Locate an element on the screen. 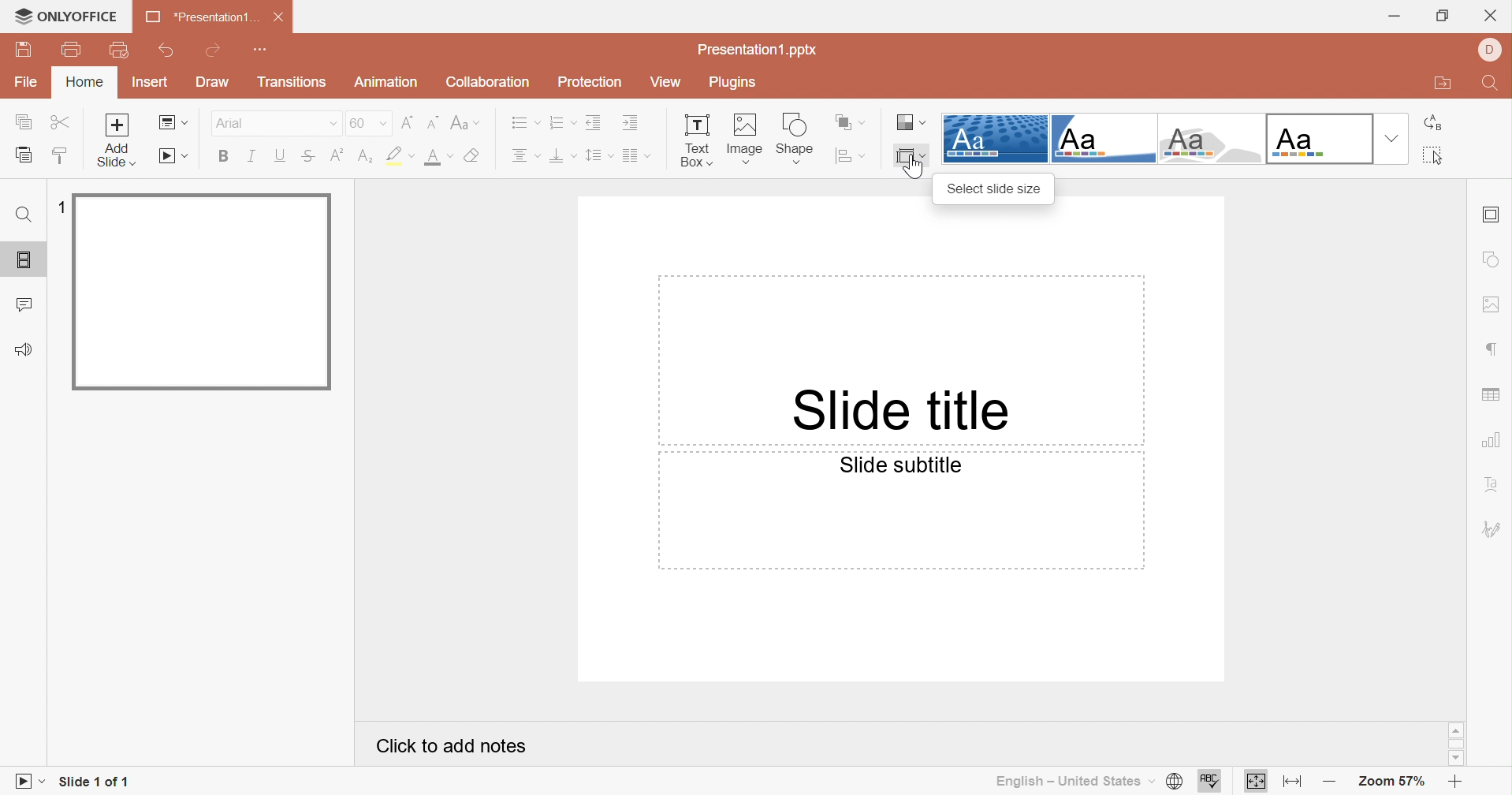 This screenshot has width=1512, height=795. Font size is located at coordinates (367, 121).